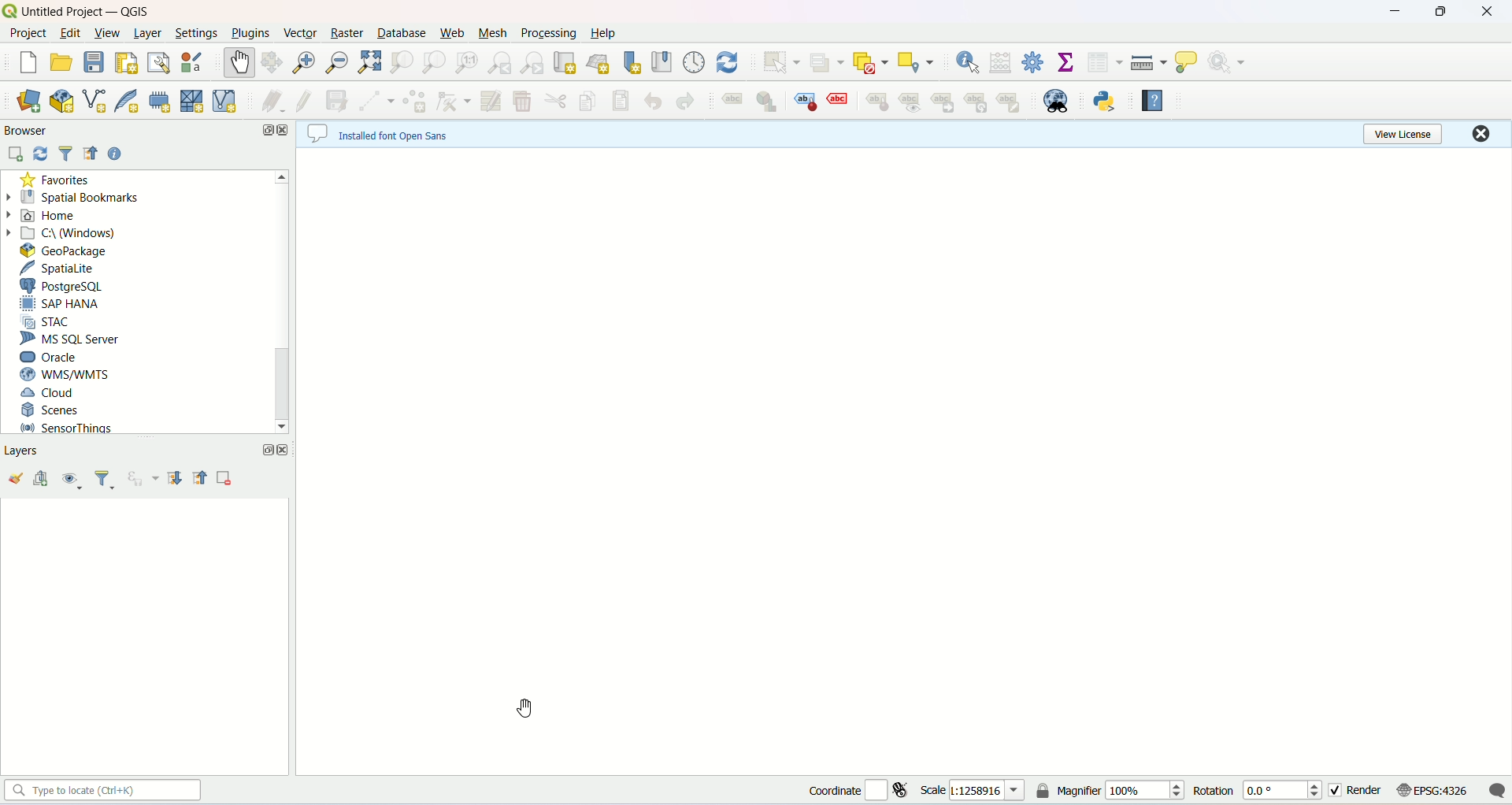  Describe the element at coordinates (767, 101) in the screenshot. I see `layer diagram options` at that location.